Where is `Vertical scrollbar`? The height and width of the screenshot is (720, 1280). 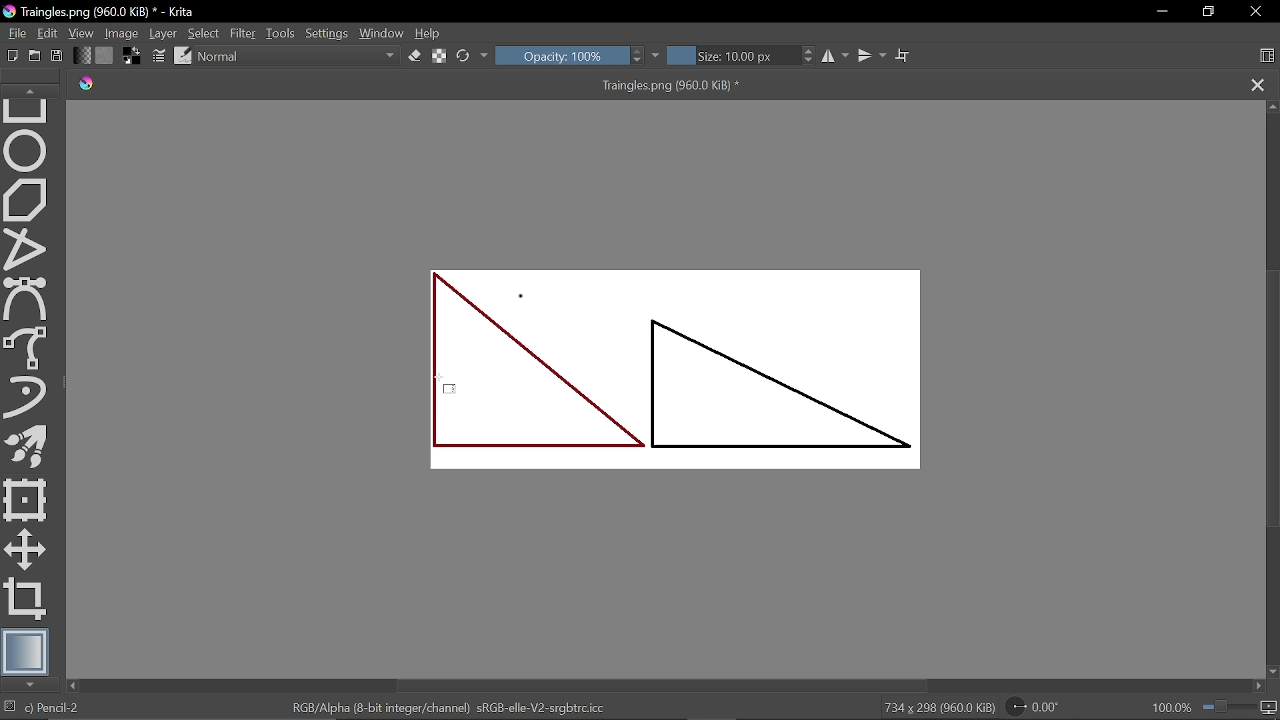
Vertical scrollbar is located at coordinates (1271, 399).